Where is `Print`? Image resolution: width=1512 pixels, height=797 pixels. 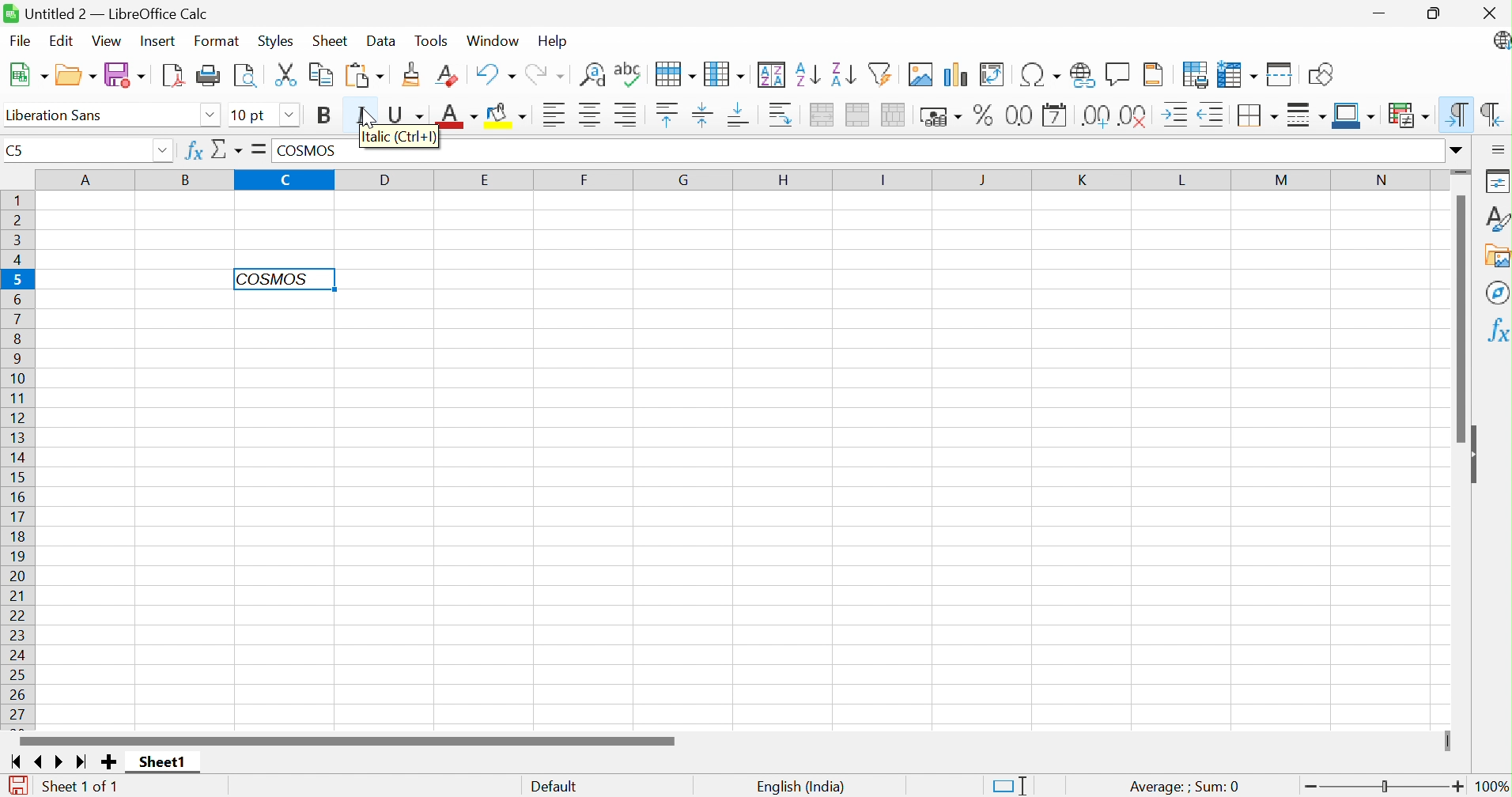 Print is located at coordinates (209, 76).